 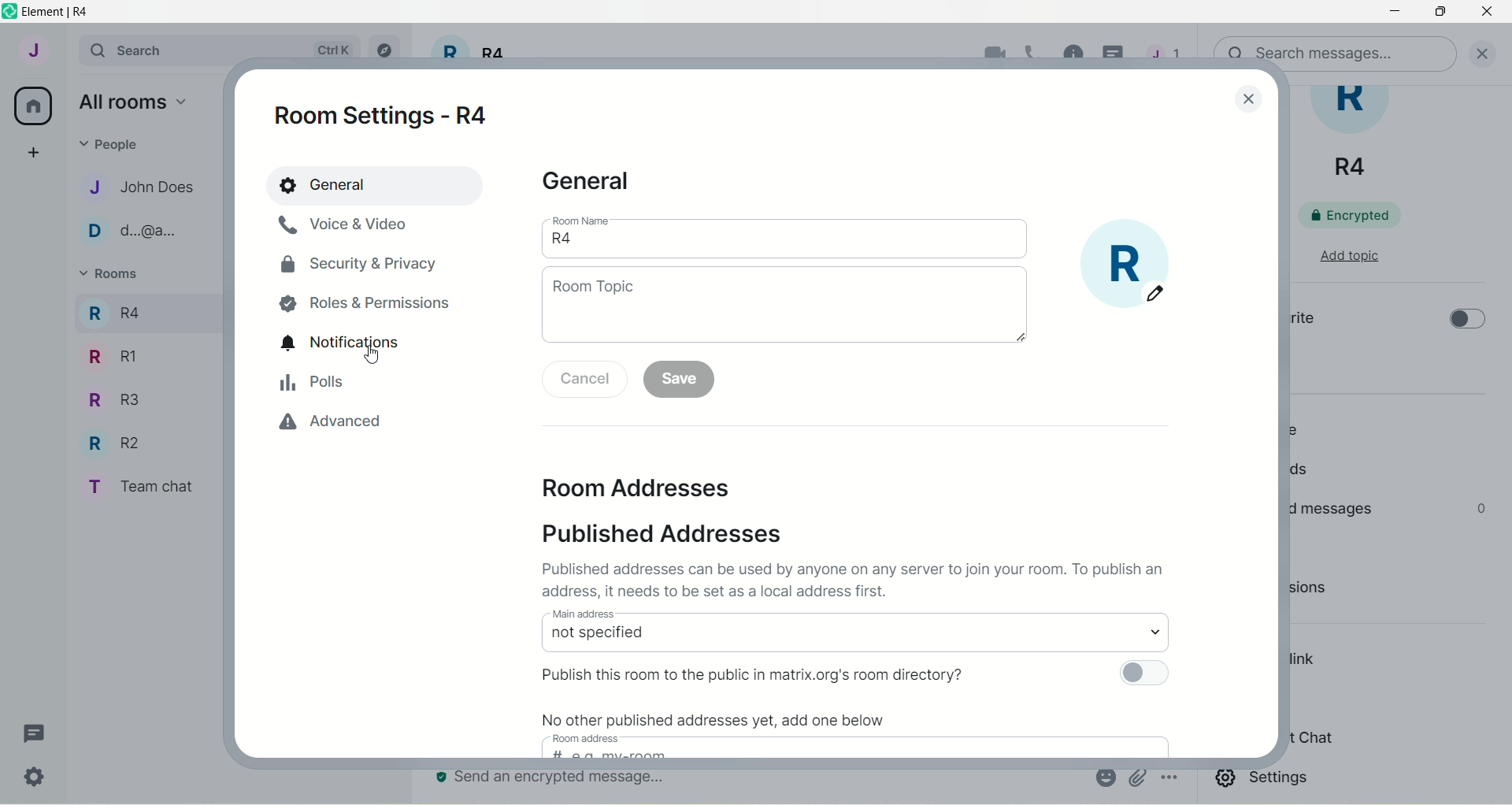 What do you see at coordinates (134, 48) in the screenshot?
I see `search` at bounding box center [134, 48].